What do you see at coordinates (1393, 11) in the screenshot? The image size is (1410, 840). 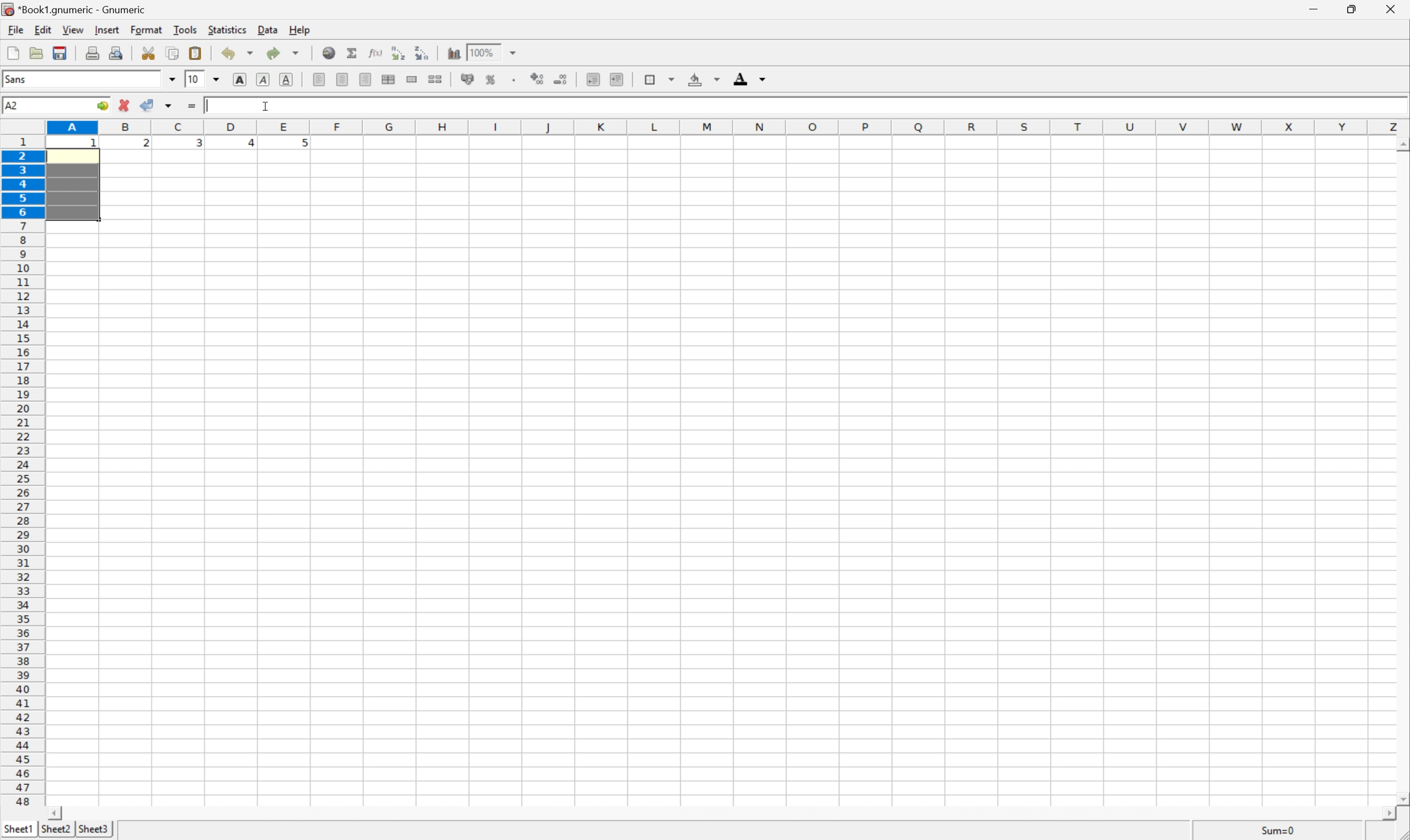 I see `close` at bounding box center [1393, 11].